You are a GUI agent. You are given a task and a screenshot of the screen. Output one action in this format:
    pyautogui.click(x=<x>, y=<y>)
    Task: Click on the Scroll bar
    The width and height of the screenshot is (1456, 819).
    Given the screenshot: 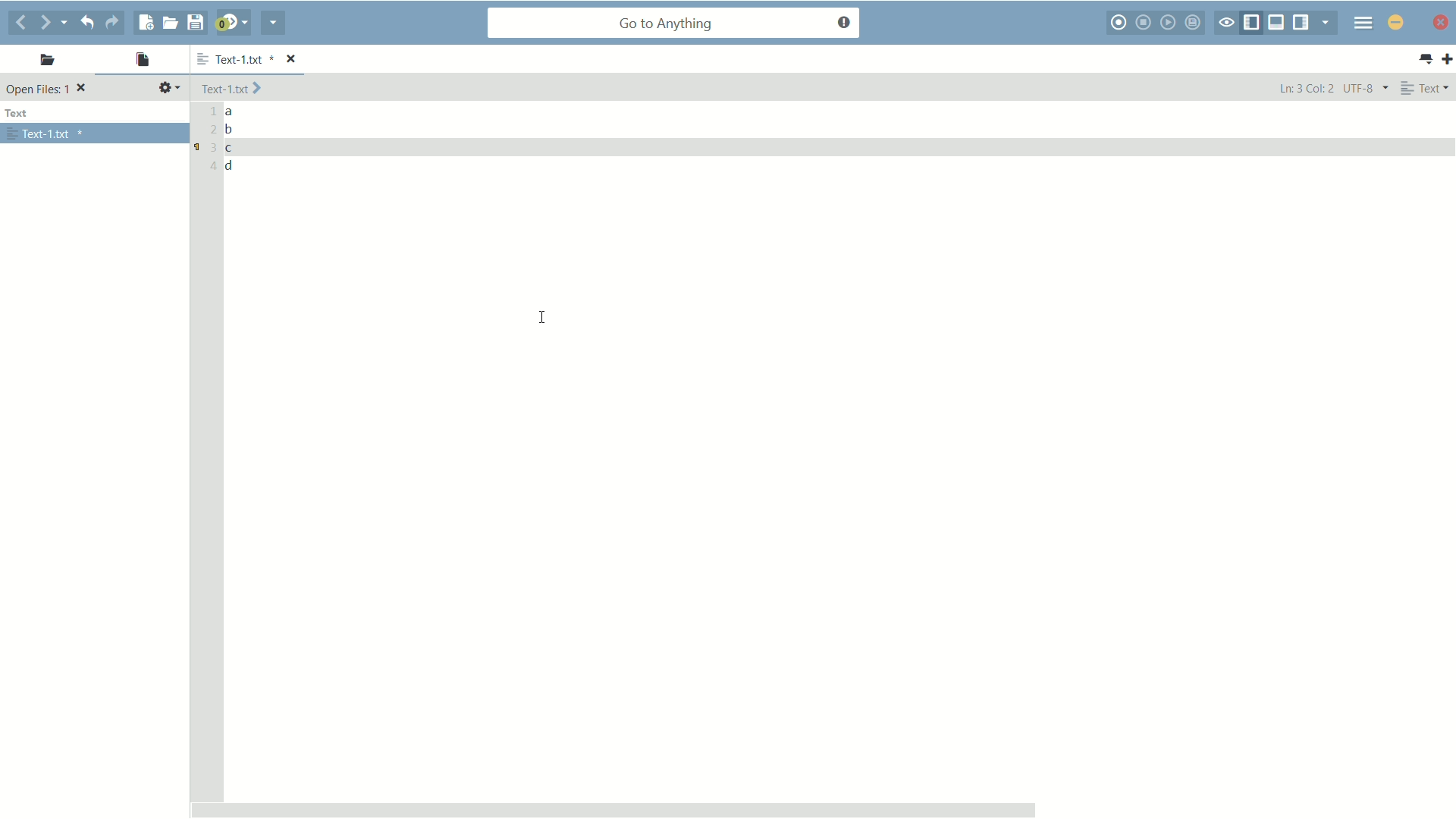 What is the action you would take?
    pyautogui.click(x=818, y=805)
    